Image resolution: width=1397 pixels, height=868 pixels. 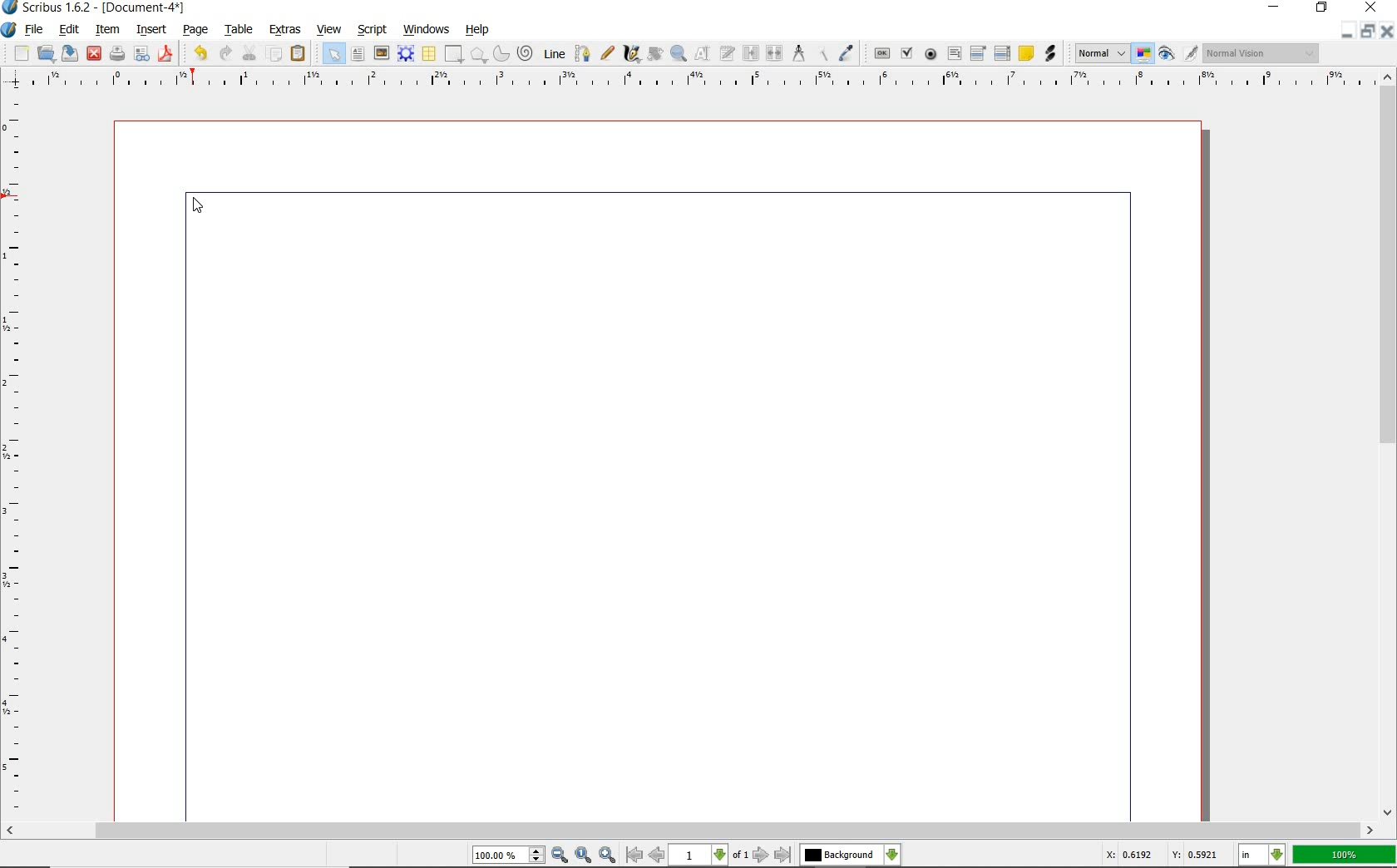 What do you see at coordinates (16, 53) in the screenshot?
I see `new` at bounding box center [16, 53].